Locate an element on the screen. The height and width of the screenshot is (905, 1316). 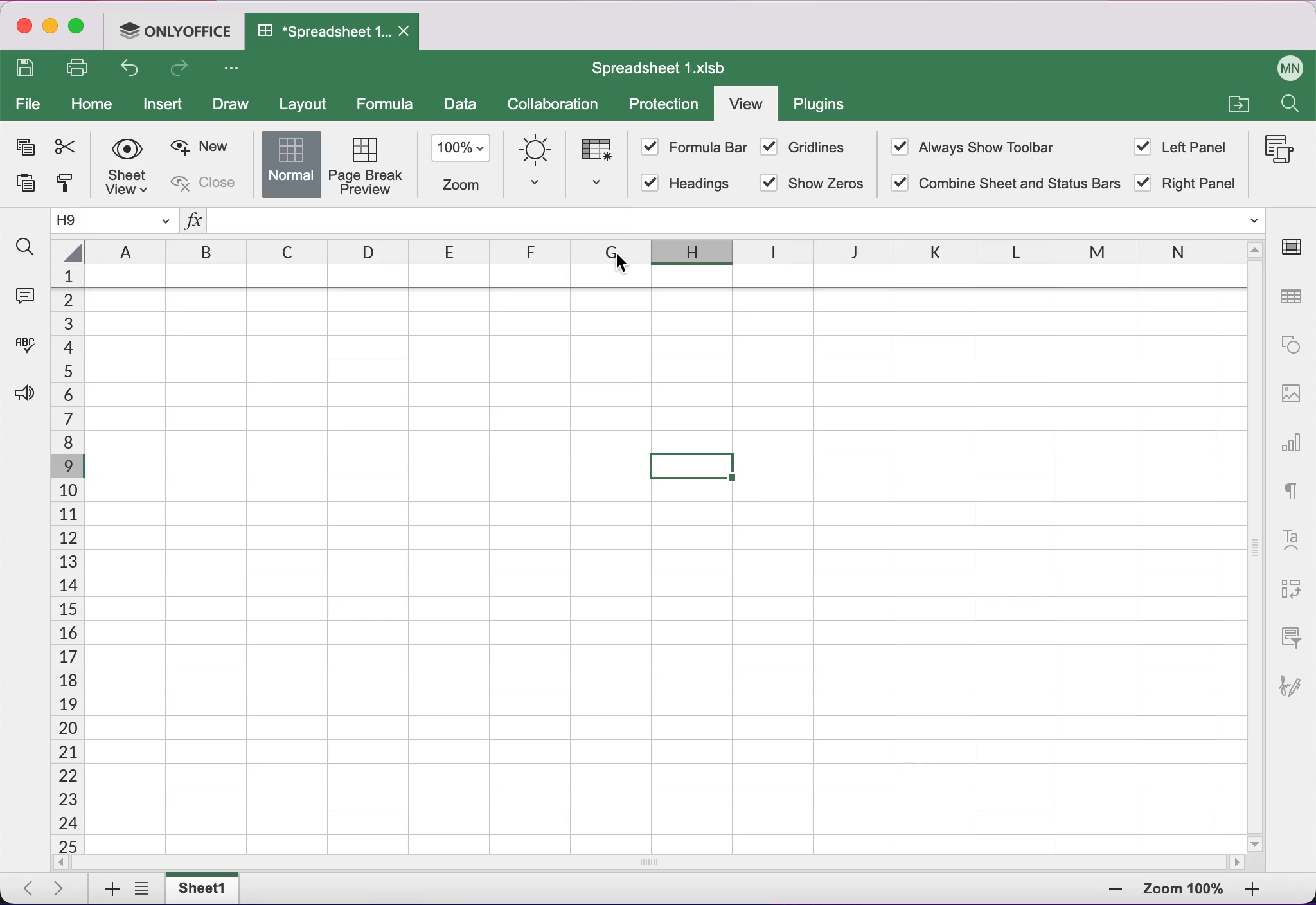
view is located at coordinates (745, 103).